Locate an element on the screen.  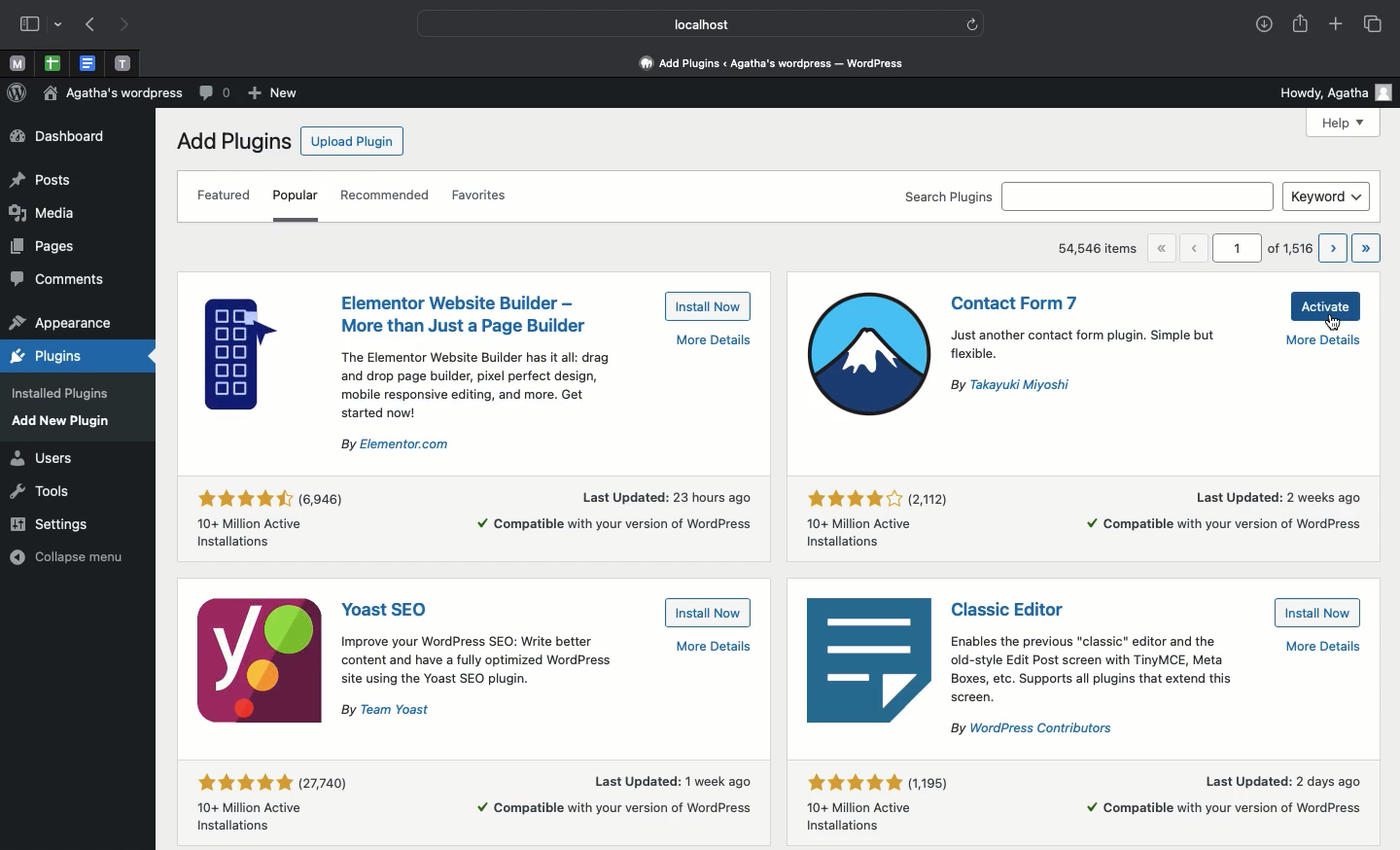
Icon is located at coordinates (258, 660).